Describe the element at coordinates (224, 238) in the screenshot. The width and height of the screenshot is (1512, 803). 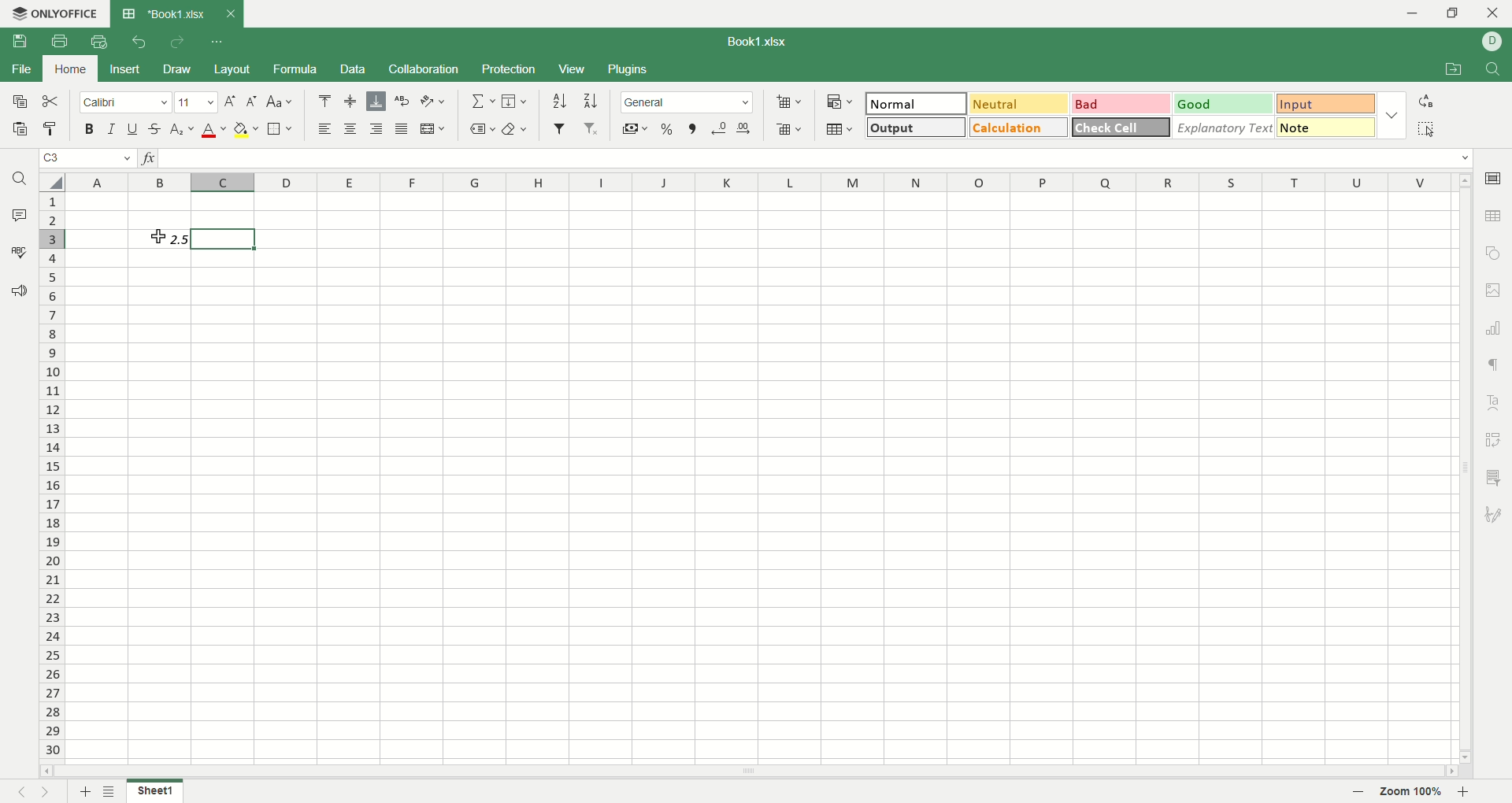
I see `selected cell` at that location.